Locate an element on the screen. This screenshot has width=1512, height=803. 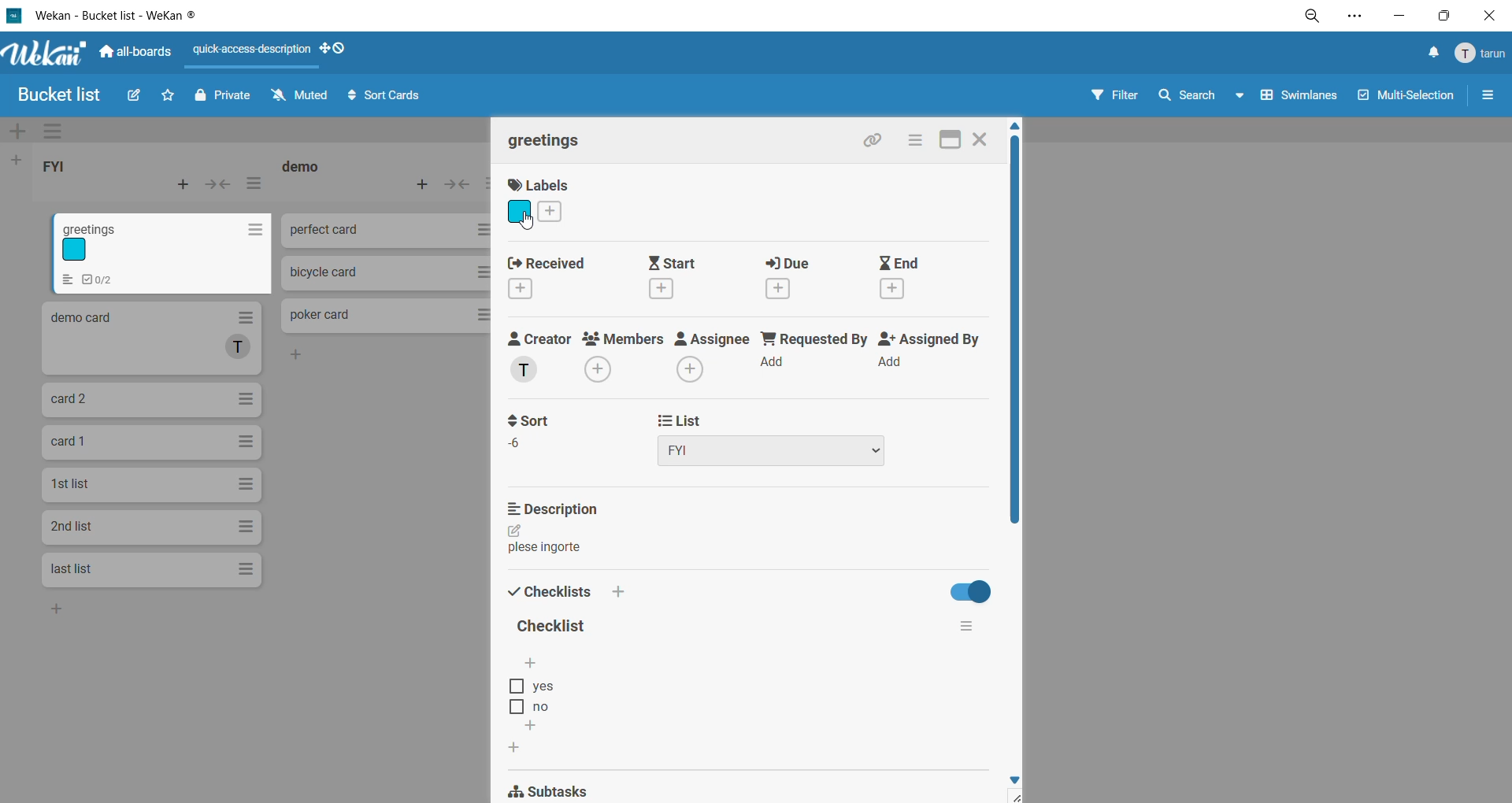
cursor is located at coordinates (527, 221).